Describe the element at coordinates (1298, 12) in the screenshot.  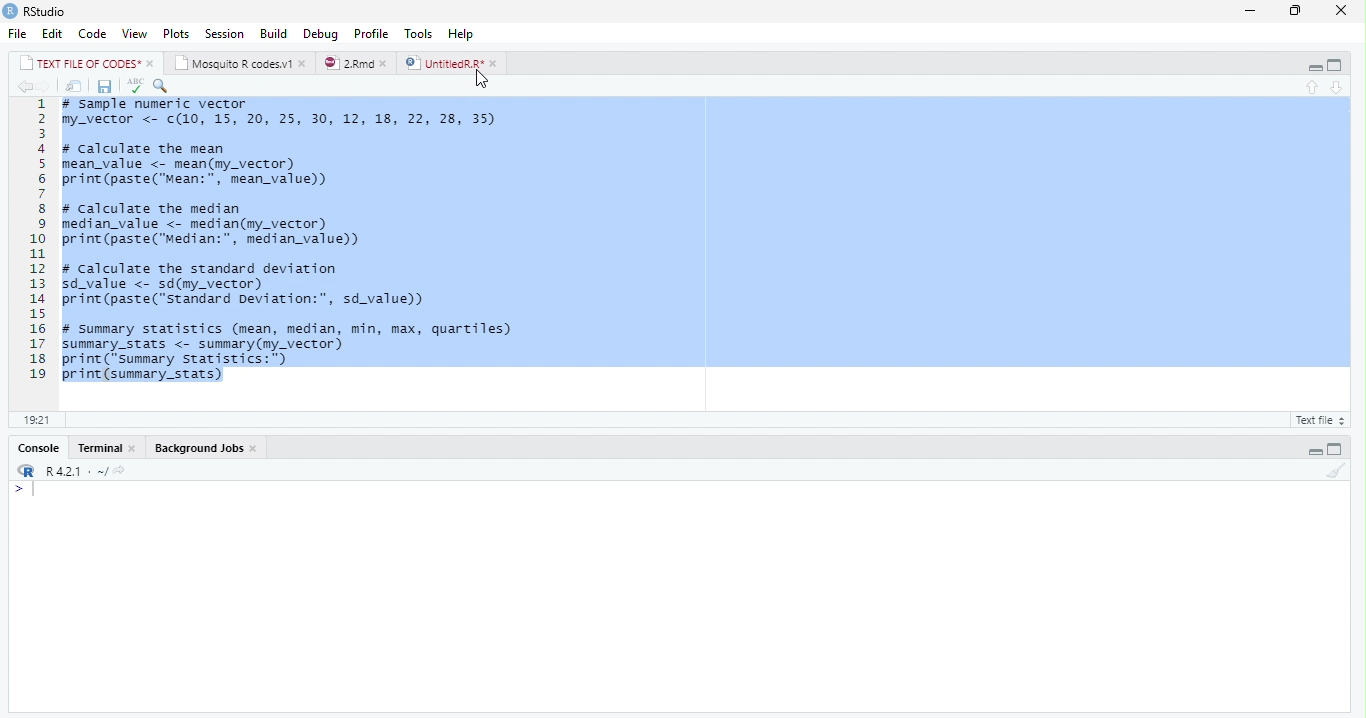
I see `maximize` at that location.